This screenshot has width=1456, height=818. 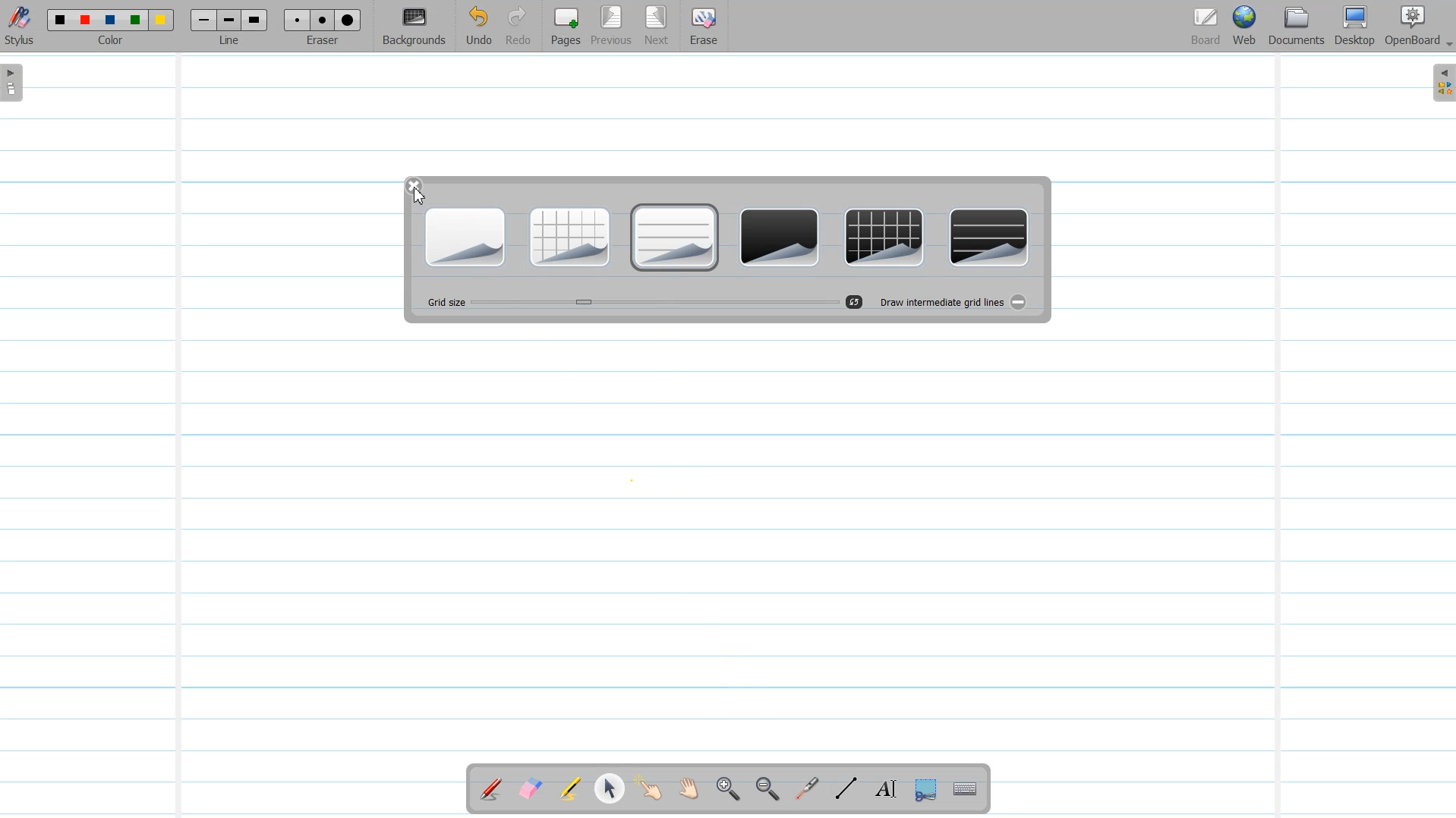 What do you see at coordinates (649, 790) in the screenshot?
I see `Interact With Item` at bounding box center [649, 790].